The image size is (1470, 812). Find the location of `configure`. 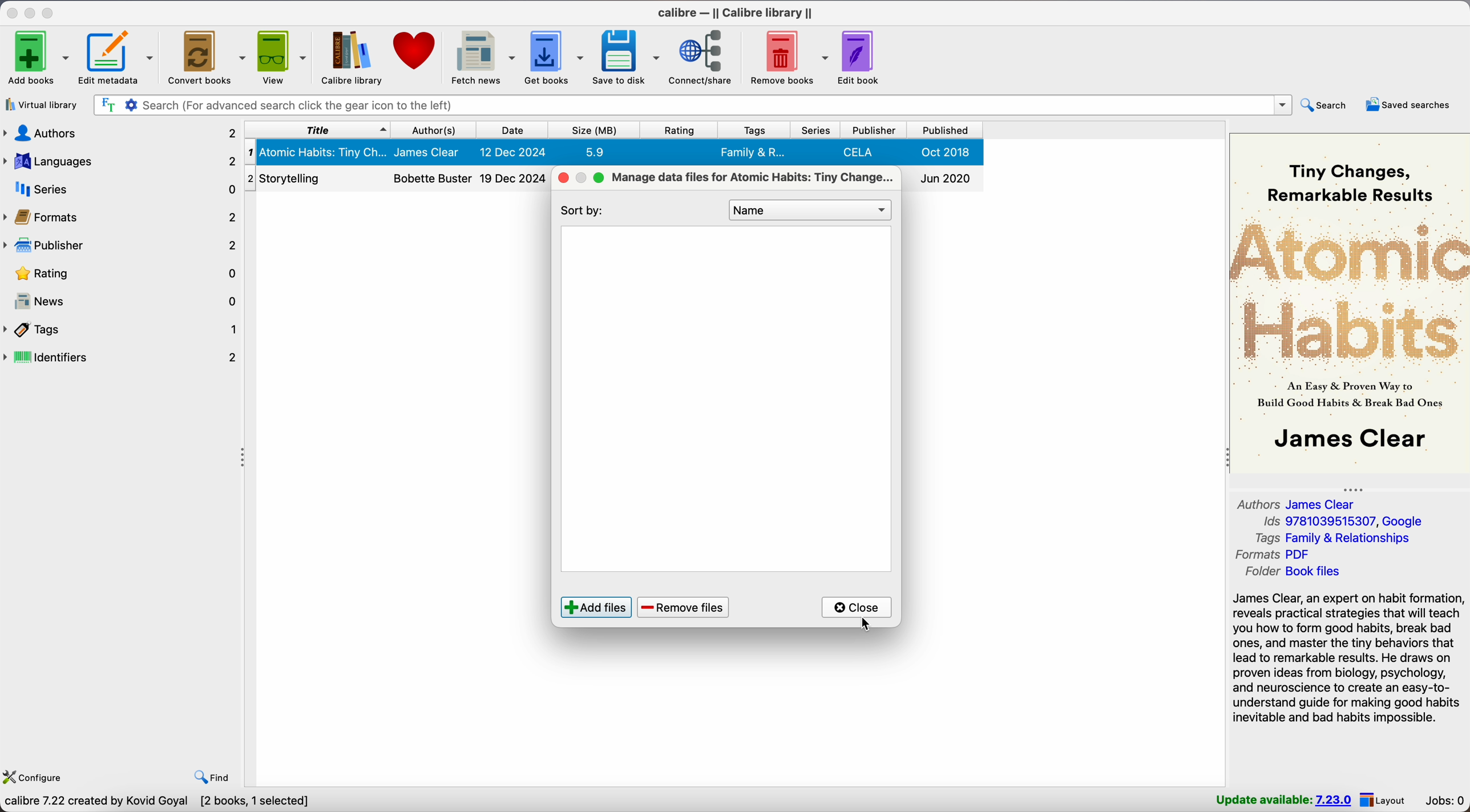

configure is located at coordinates (34, 775).